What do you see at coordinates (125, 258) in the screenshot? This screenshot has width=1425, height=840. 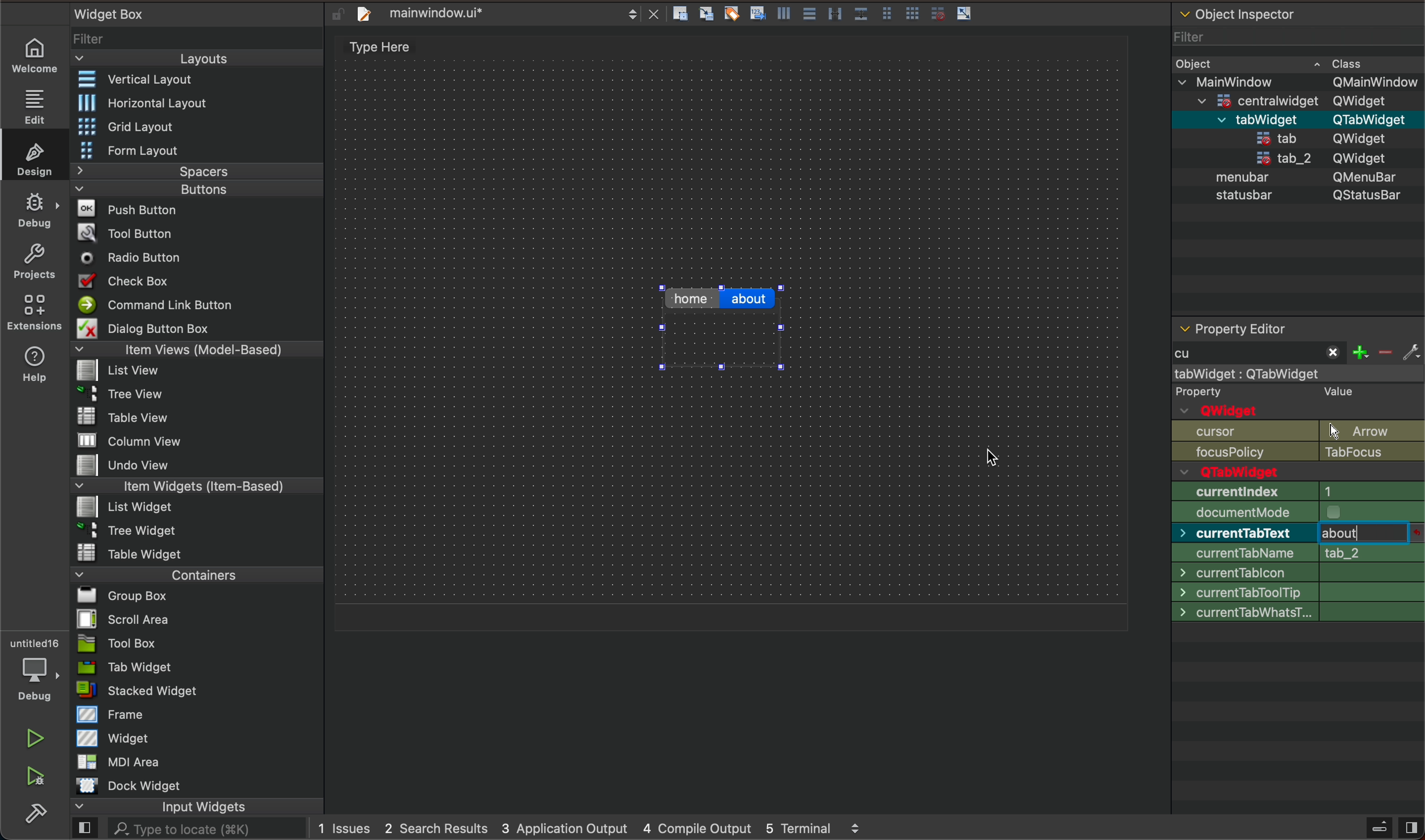 I see ` Radio Button` at bounding box center [125, 258].